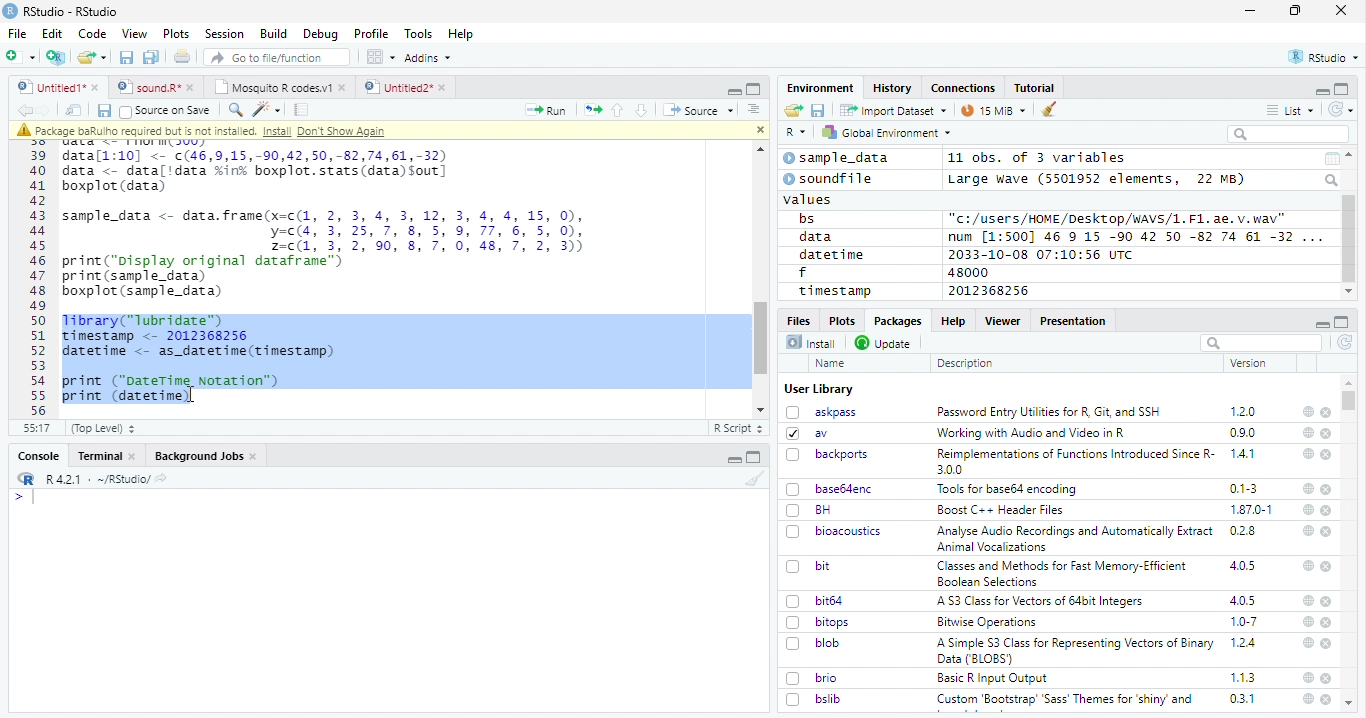 The image size is (1366, 718). Describe the element at coordinates (754, 457) in the screenshot. I see `Full screen` at that location.